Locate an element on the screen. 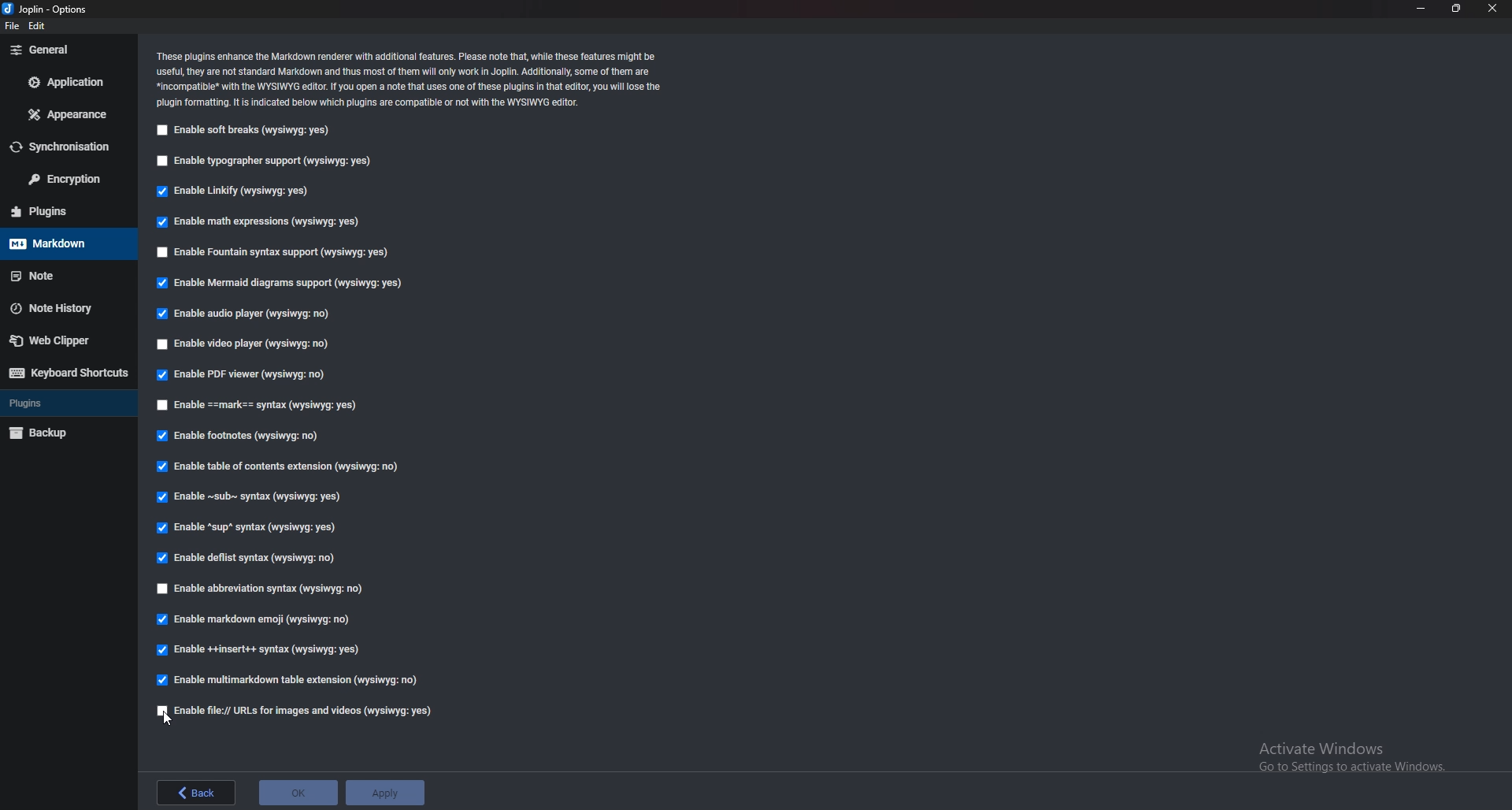  Enable linkify is located at coordinates (237, 190).